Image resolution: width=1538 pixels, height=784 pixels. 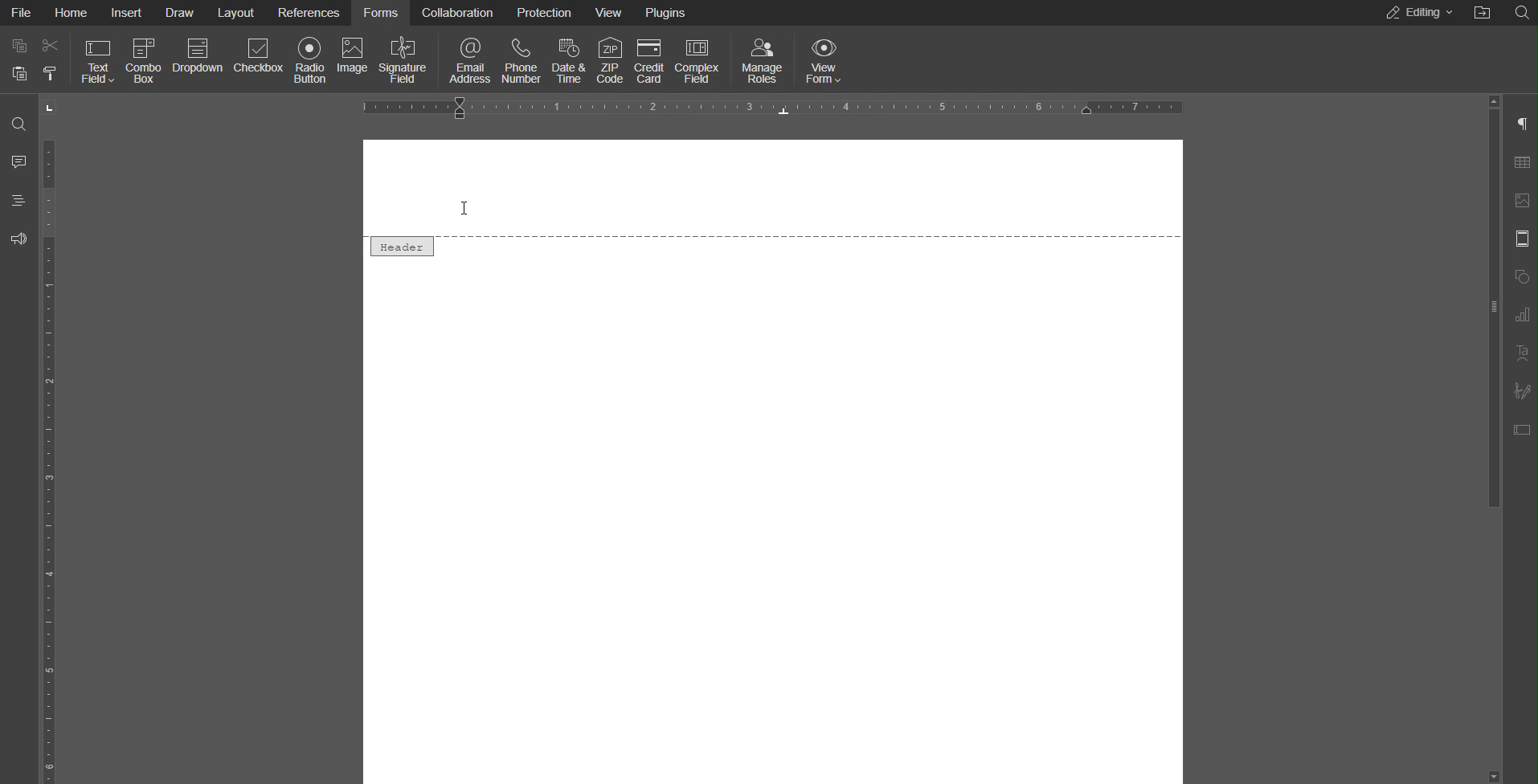 I want to click on Text Field, so click(x=97, y=59).